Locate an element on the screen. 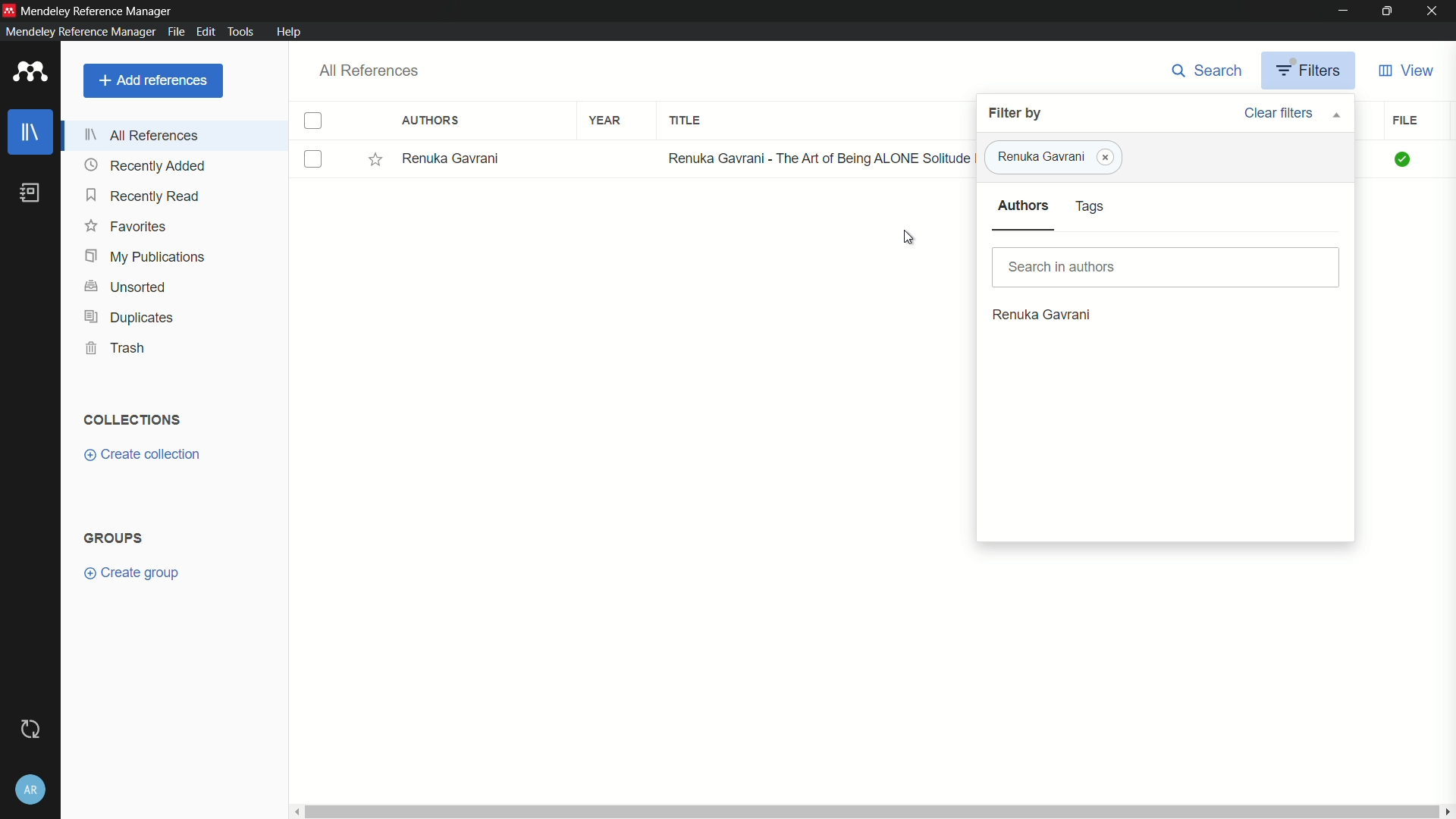 The image size is (1456, 819). duplicates is located at coordinates (126, 318).